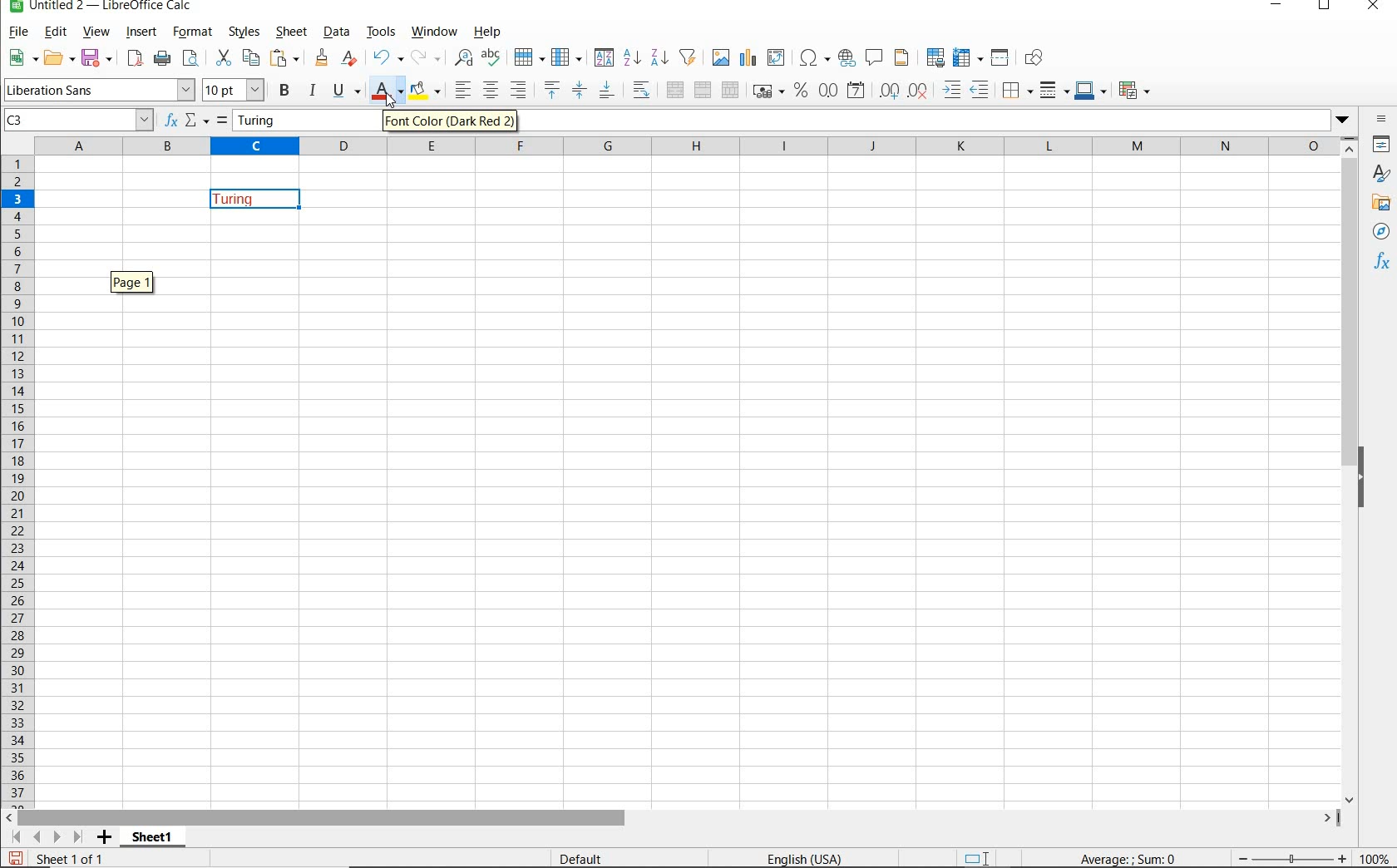 The image size is (1397, 868). I want to click on FORMAT AS NUMBER, so click(830, 90).